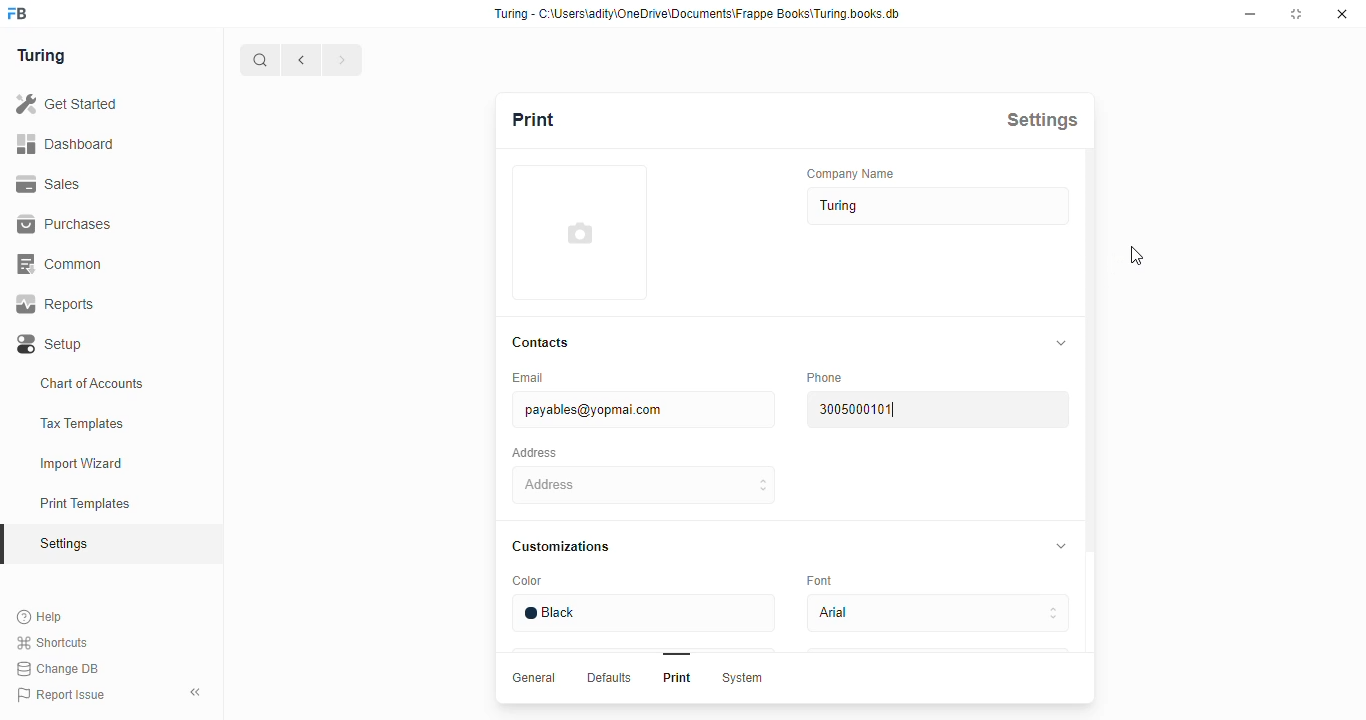  What do you see at coordinates (99, 223) in the screenshot?
I see `Purchases` at bounding box center [99, 223].